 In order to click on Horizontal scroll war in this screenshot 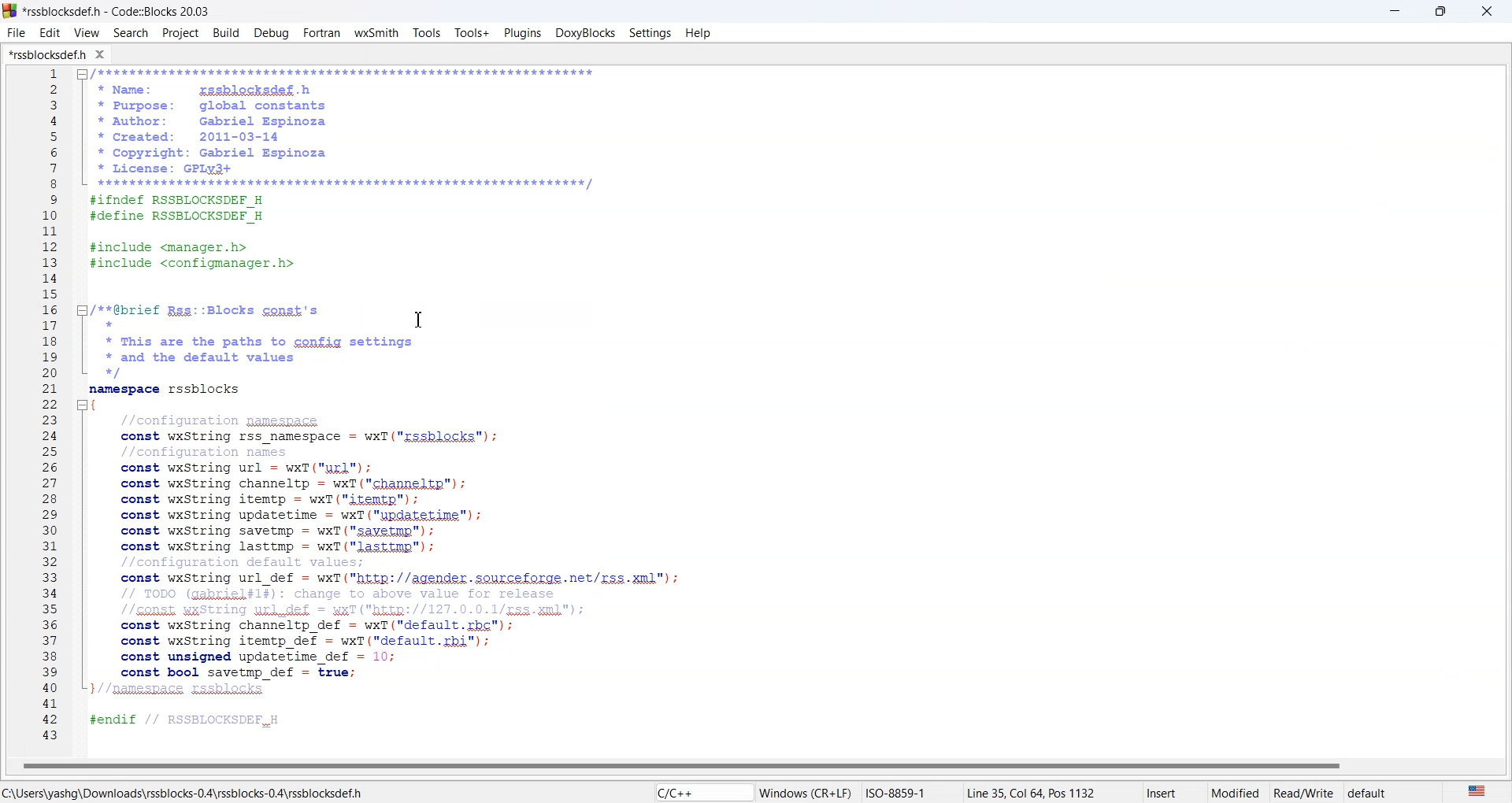, I will do `click(754, 765)`.